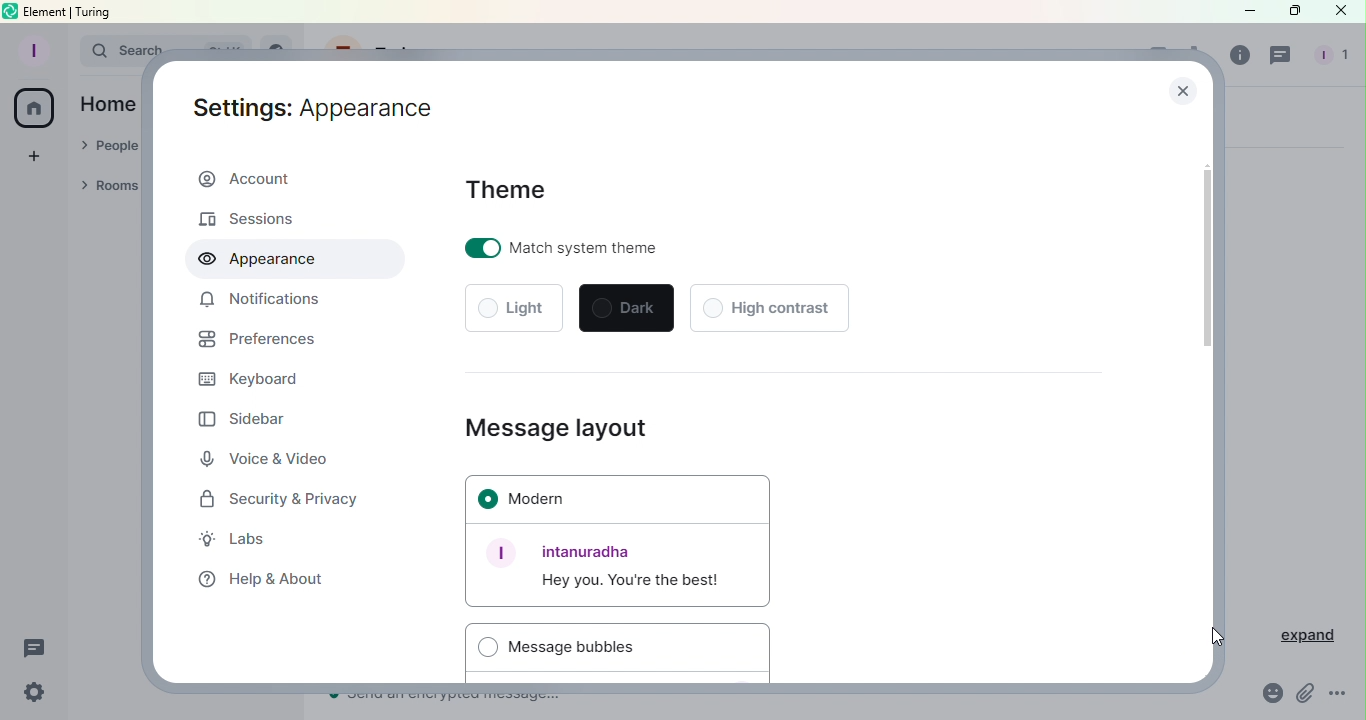 The width and height of the screenshot is (1366, 720). I want to click on Home, so click(35, 110).